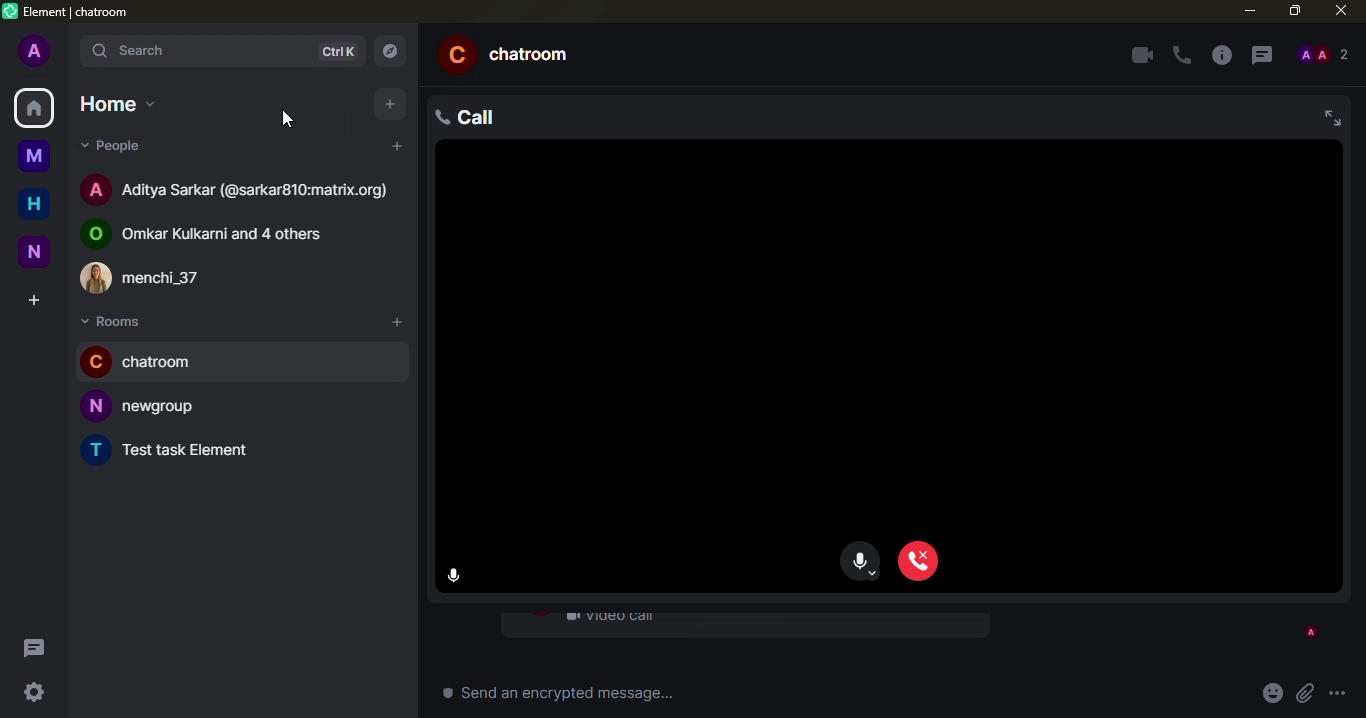  I want to click on chatroom, so click(151, 363).